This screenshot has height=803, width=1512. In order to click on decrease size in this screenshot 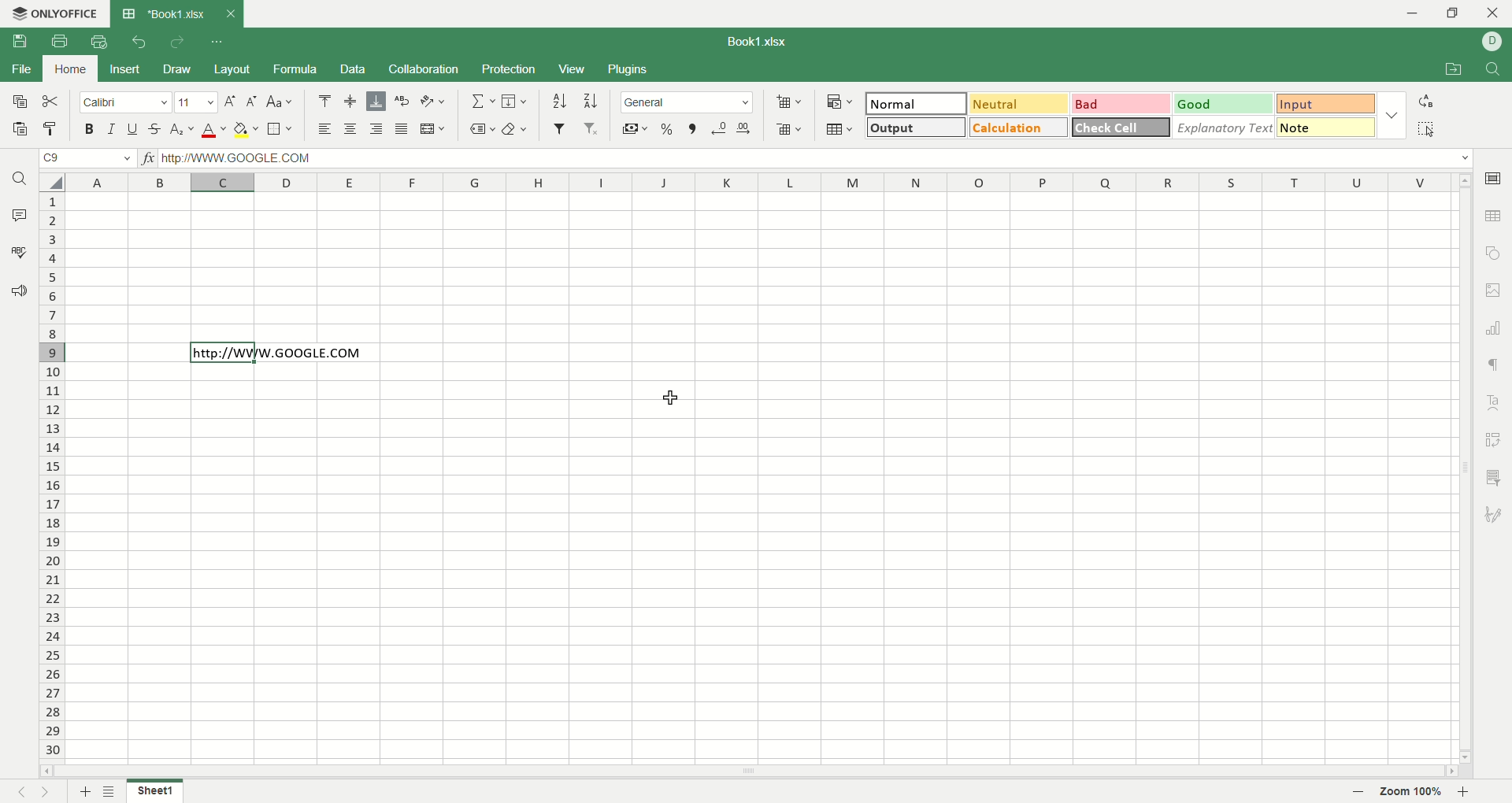, I will do `click(254, 102)`.